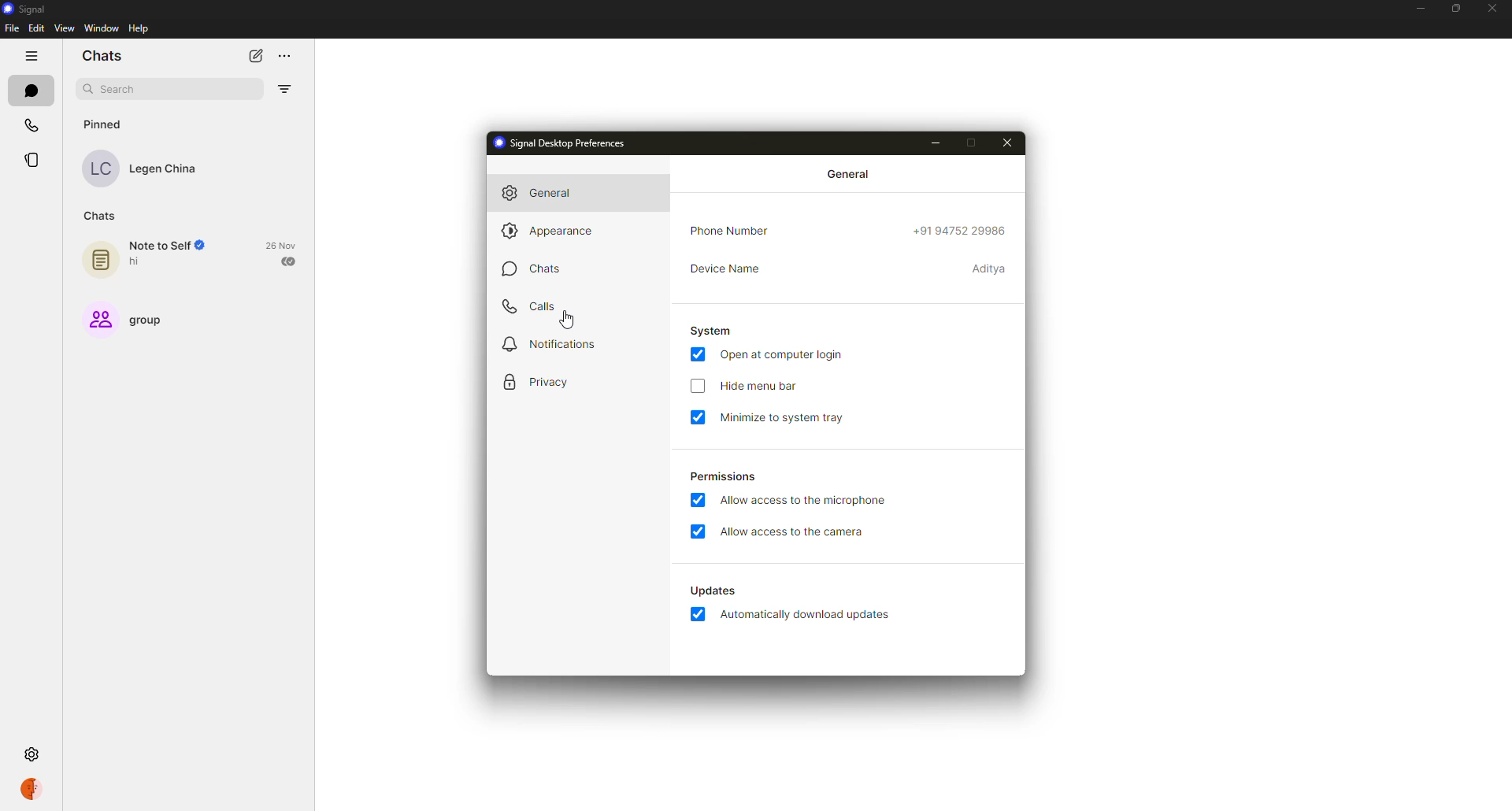  Describe the element at coordinates (700, 501) in the screenshot. I see `enabled` at that location.